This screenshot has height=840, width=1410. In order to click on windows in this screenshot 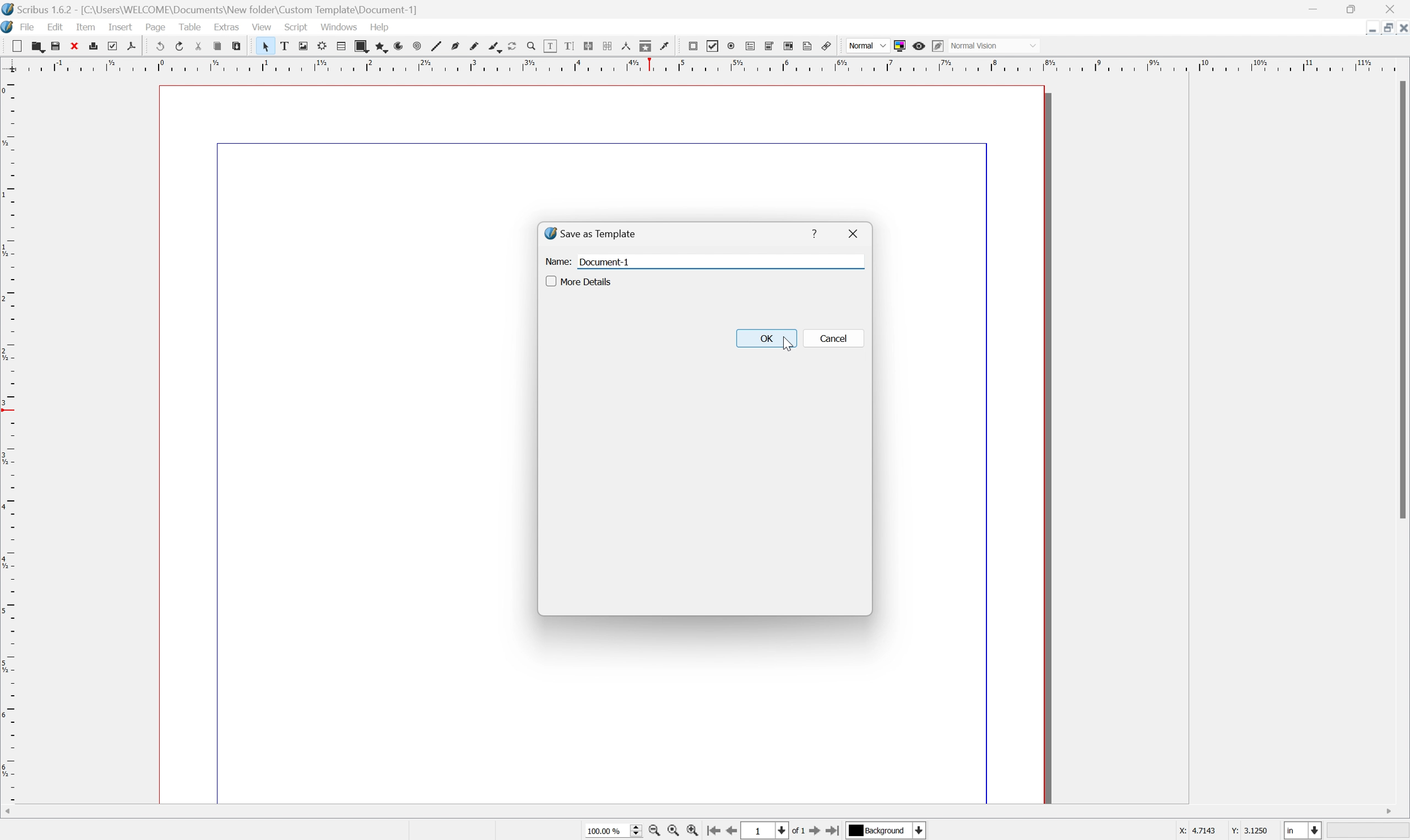, I will do `click(339, 26)`.